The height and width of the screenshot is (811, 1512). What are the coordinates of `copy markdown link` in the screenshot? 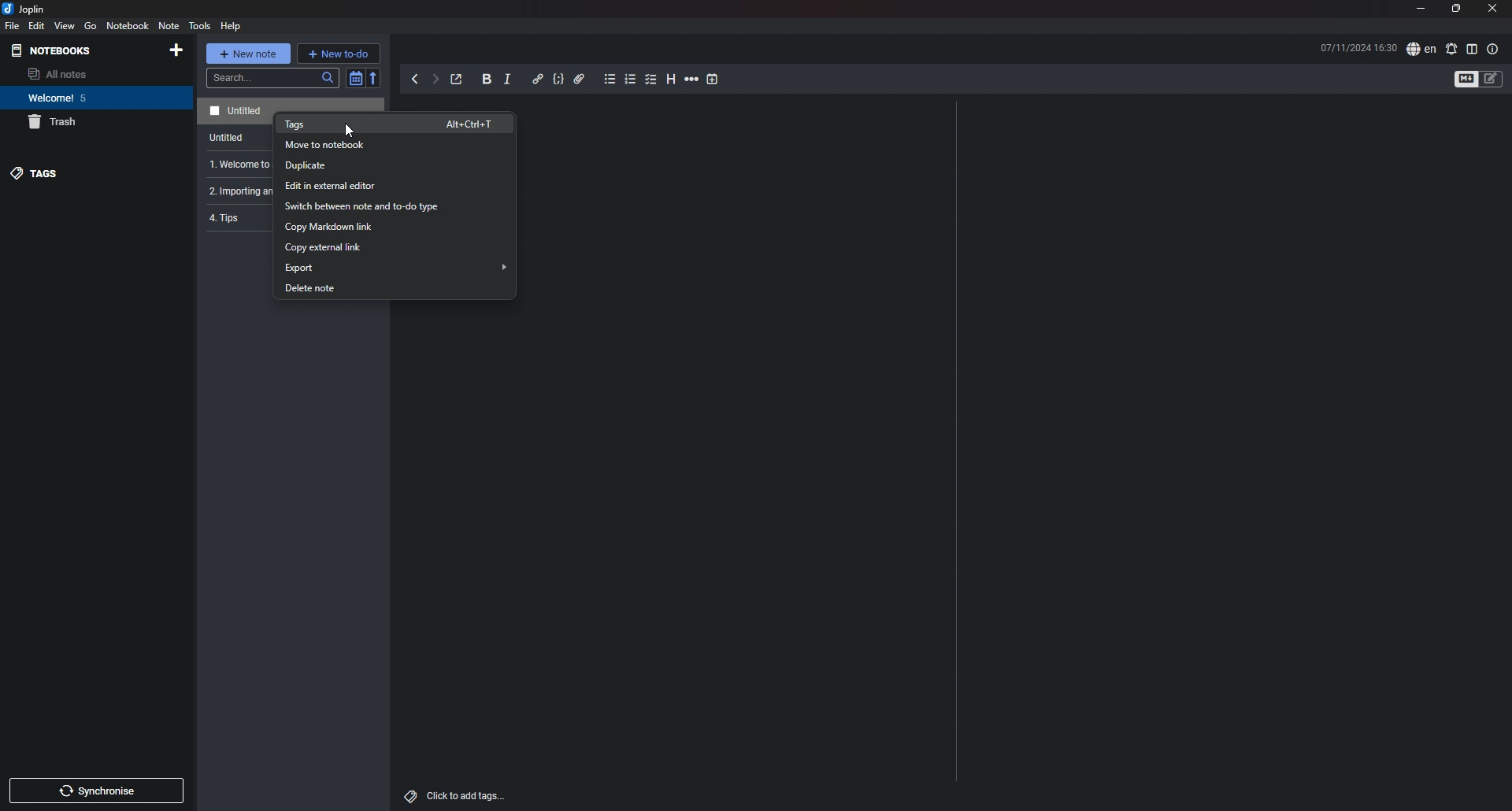 It's located at (391, 225).